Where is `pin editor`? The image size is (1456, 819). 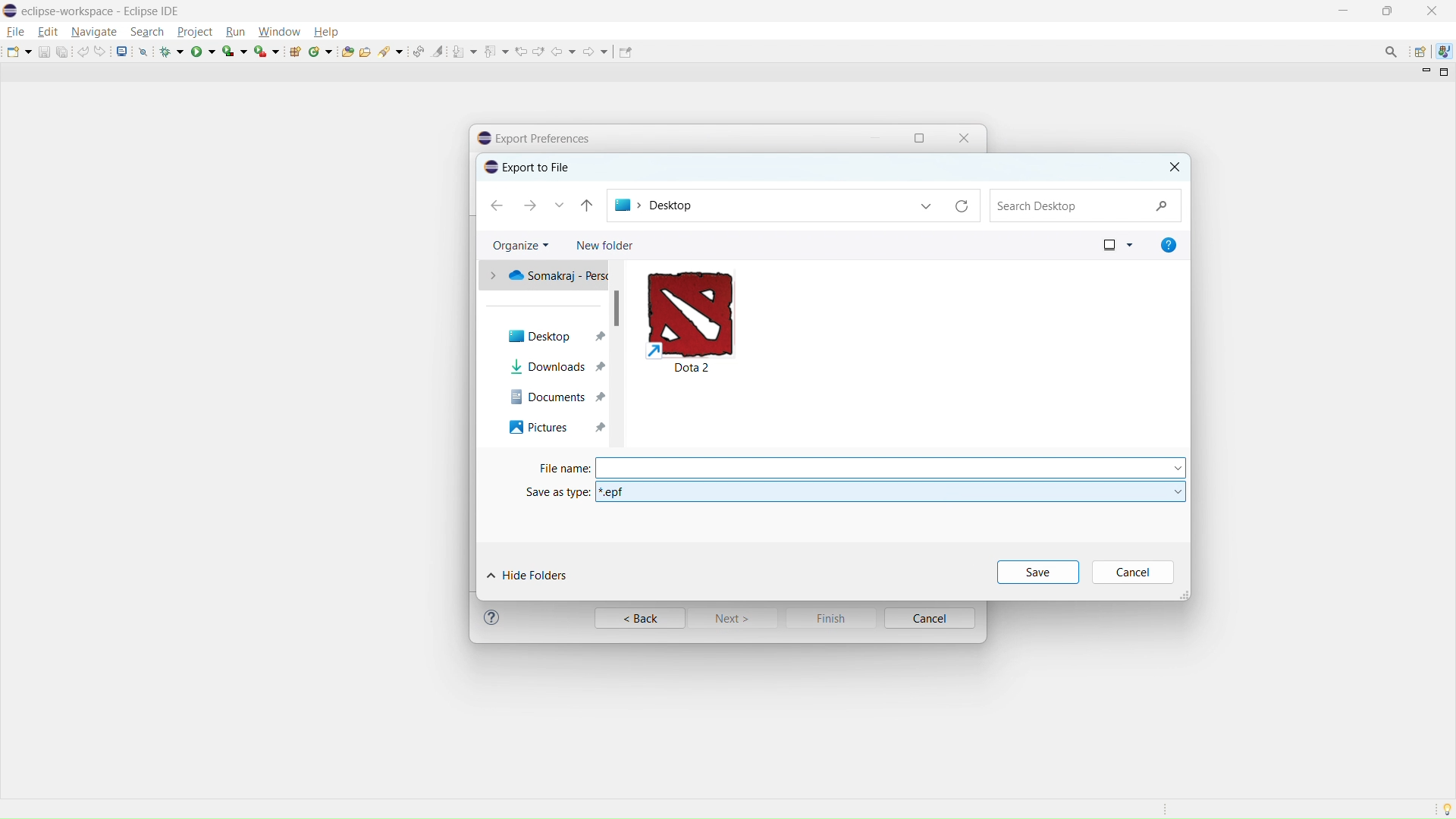 pin editor is located at coordinates (624, 52).